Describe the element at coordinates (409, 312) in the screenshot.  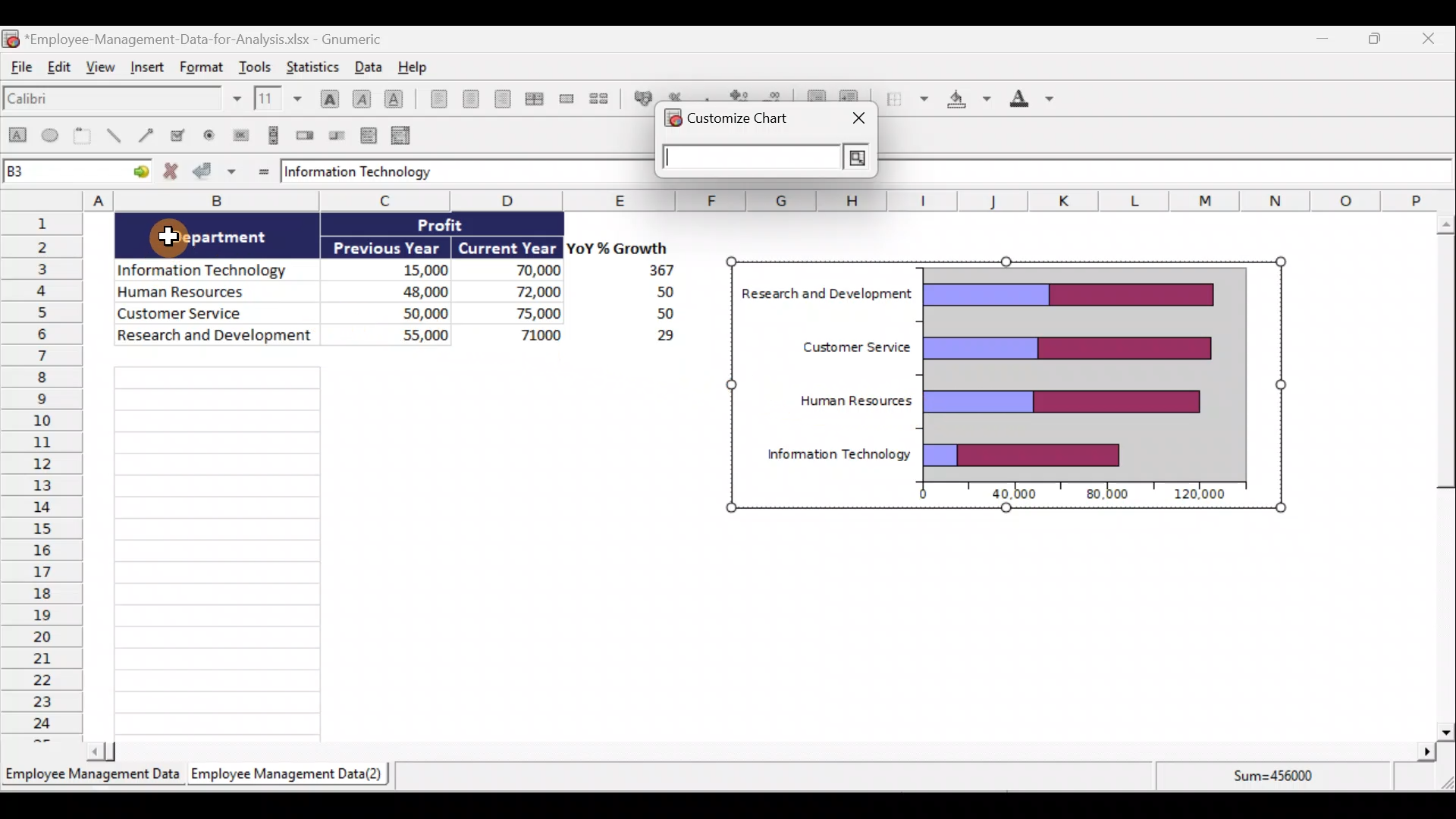
I see `50,000` at that location.